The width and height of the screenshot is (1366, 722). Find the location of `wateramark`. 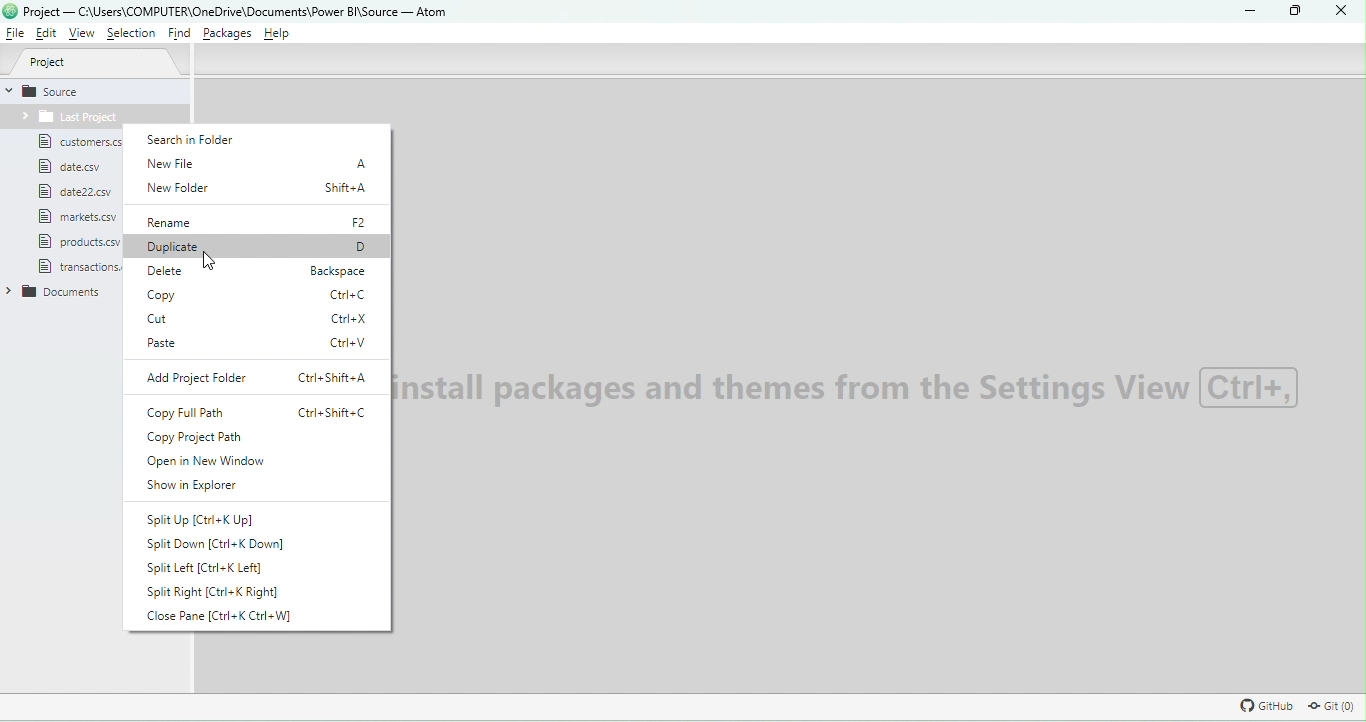

wateramark is located at coordinates (853, 391).